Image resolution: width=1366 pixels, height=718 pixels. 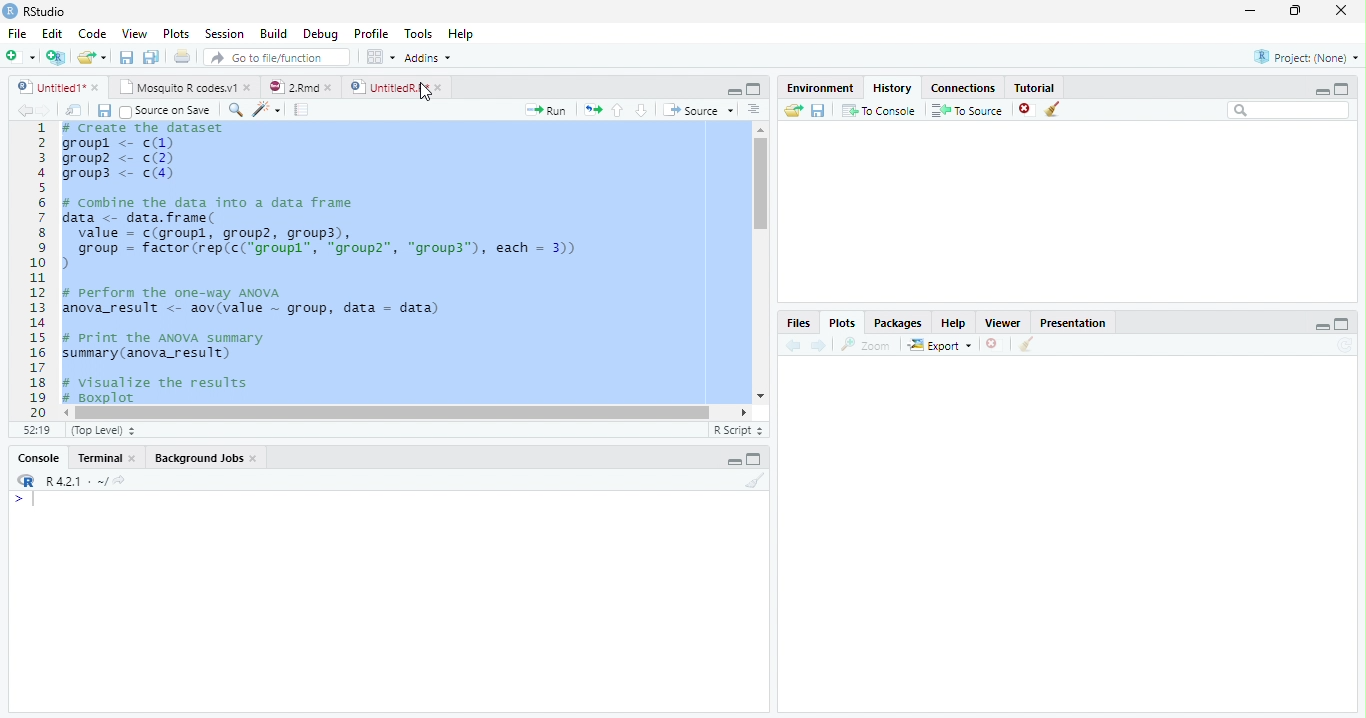 What do you see at coordinates (26, 111) in the screenshot?
I see `Back ` at bounding box center [26, 111].